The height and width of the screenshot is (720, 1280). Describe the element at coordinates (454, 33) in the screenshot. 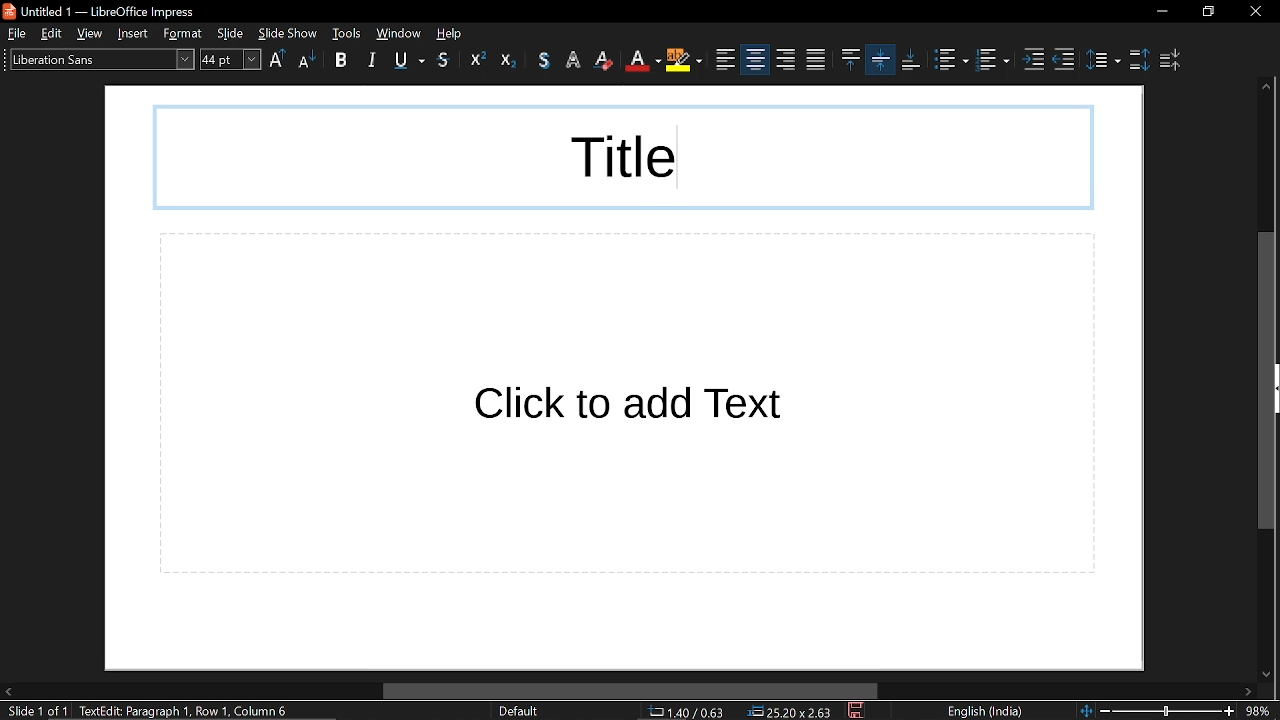

I see `help` at that location.